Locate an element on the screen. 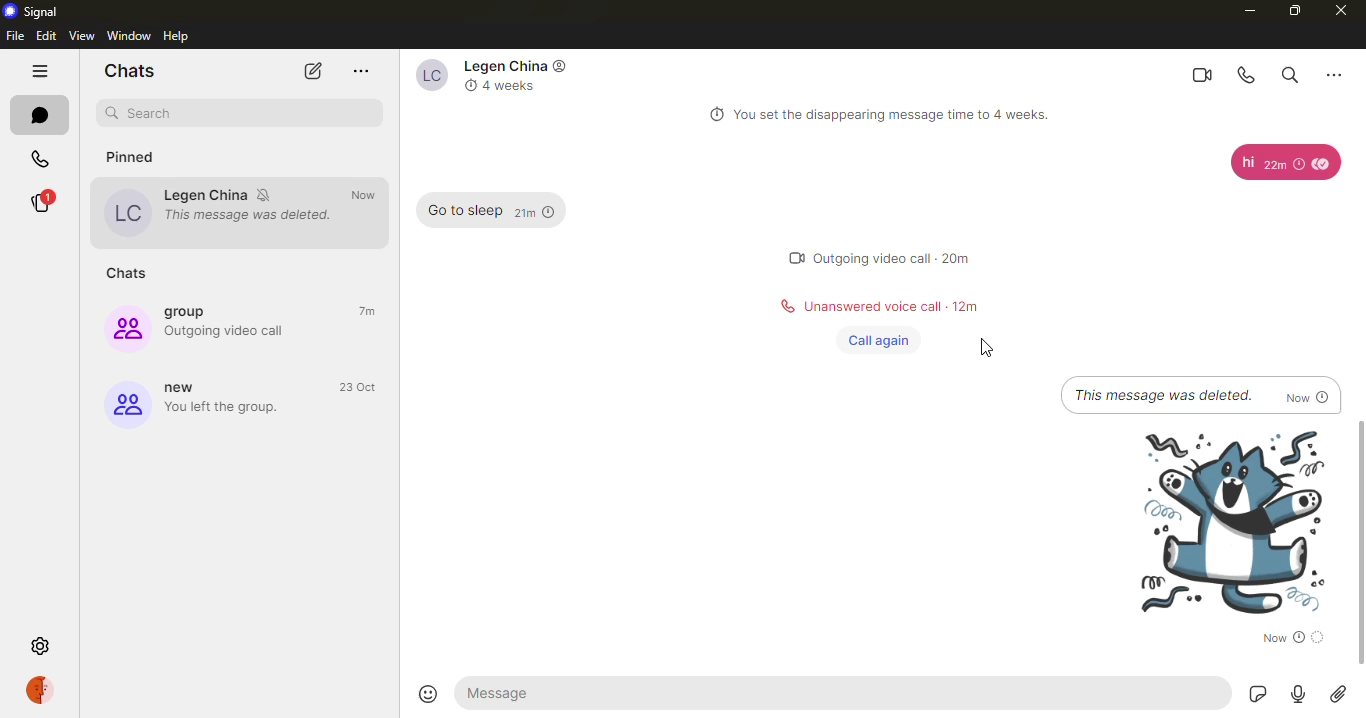 The image size is (1366, 718). minimize is located at coordinates (1247, 10).